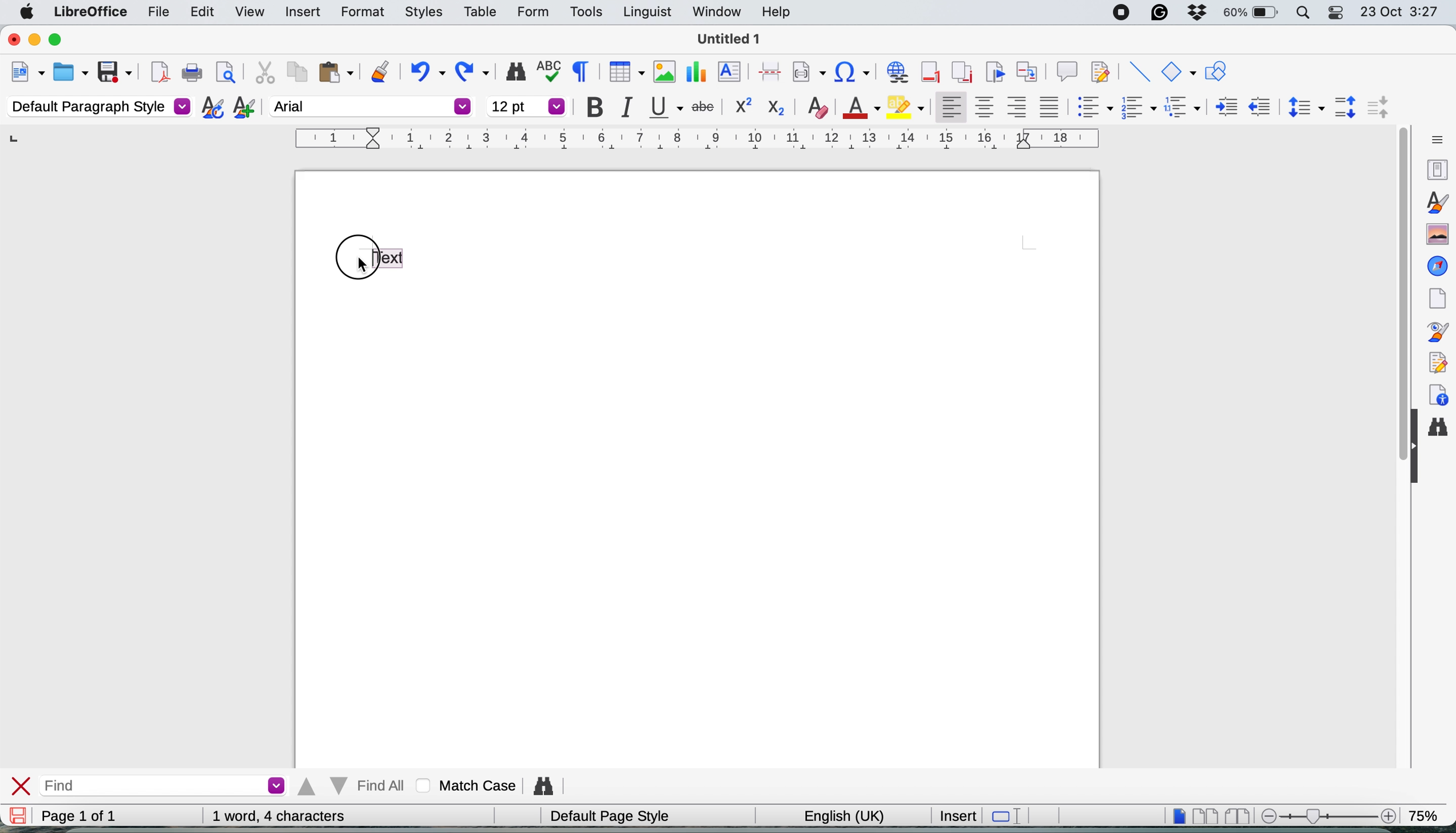 This screenshot has width=1456, height=833. What do you see at coordinates (1235, 815) in the screenshot?
I see `book view` at bounding box center [1235, 815].